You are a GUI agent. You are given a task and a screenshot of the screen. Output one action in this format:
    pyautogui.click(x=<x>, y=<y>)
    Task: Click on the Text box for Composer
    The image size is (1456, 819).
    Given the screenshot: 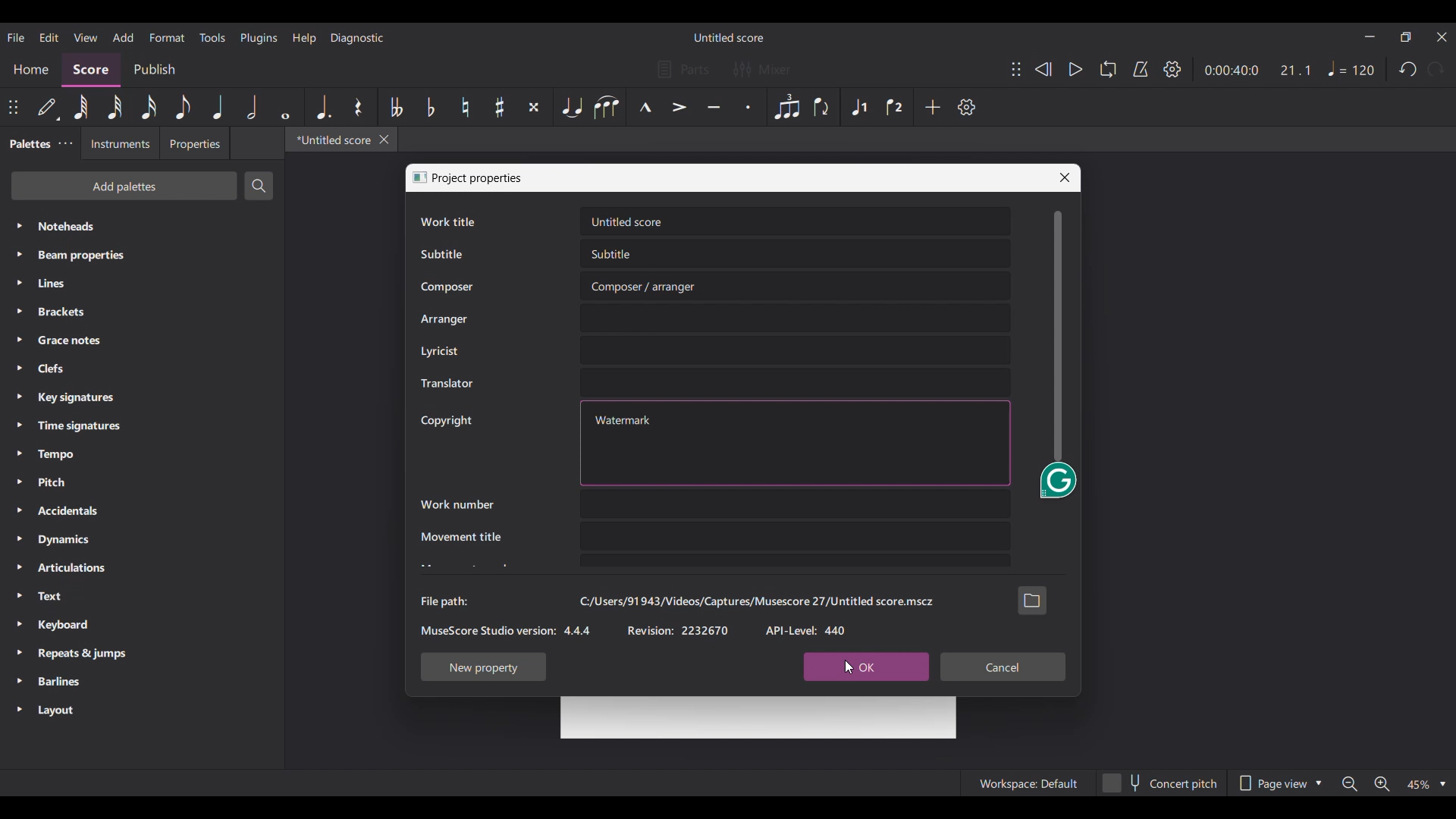 What is the action you would take?
    pyautogui.click(x=796, y=286)
    